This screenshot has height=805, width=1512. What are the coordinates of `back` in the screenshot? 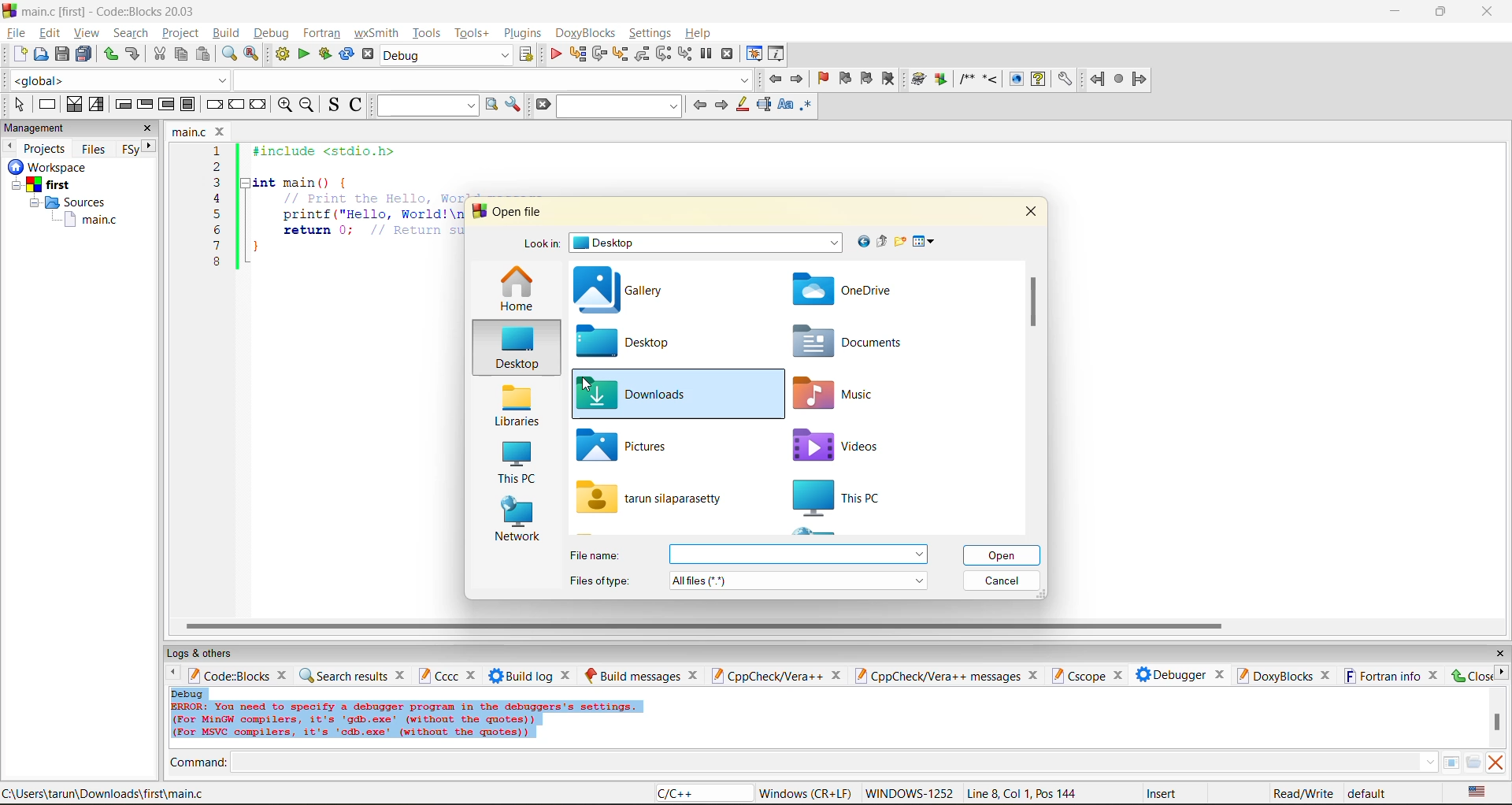 It's located at (1099, 79).